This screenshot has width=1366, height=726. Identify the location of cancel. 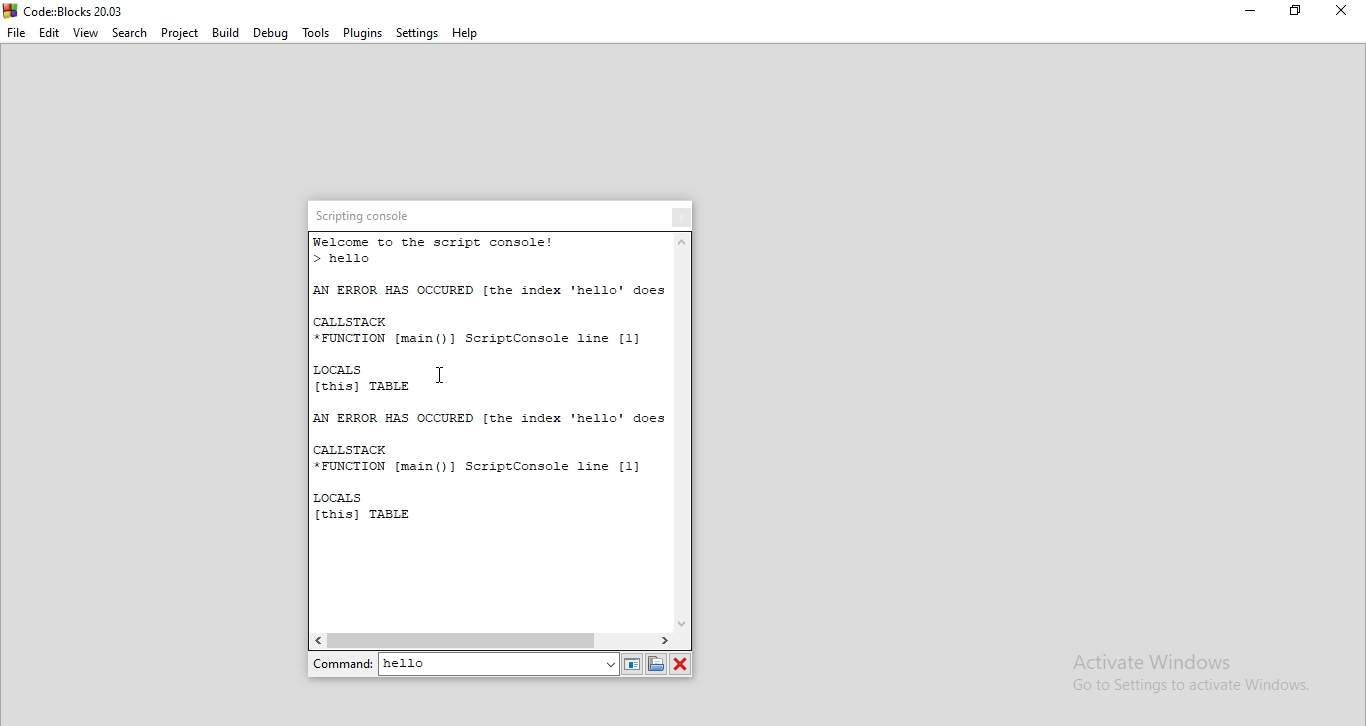
(681, 663).